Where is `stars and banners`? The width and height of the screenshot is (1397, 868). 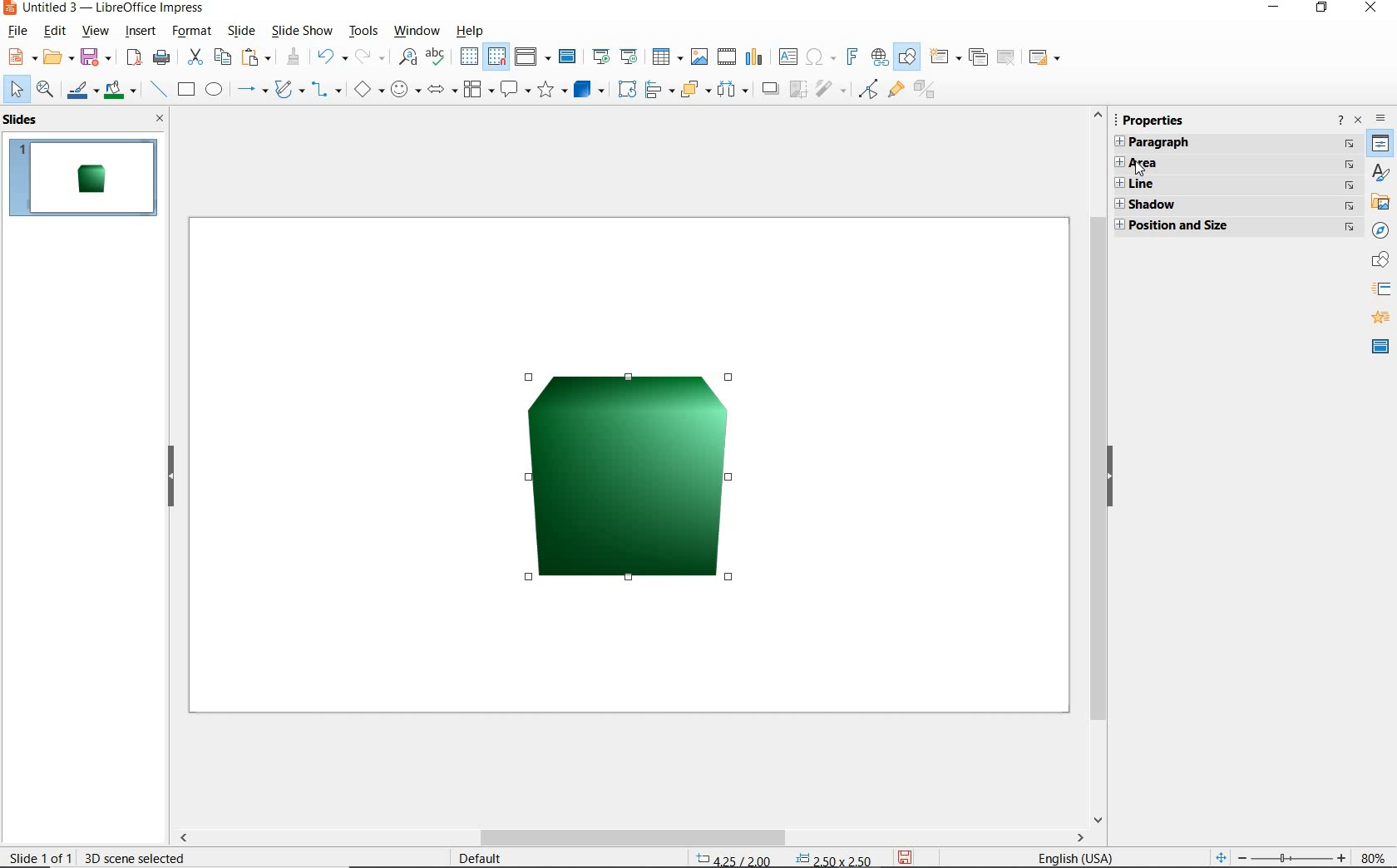 stars and banners is located at coordinates (553, 92).